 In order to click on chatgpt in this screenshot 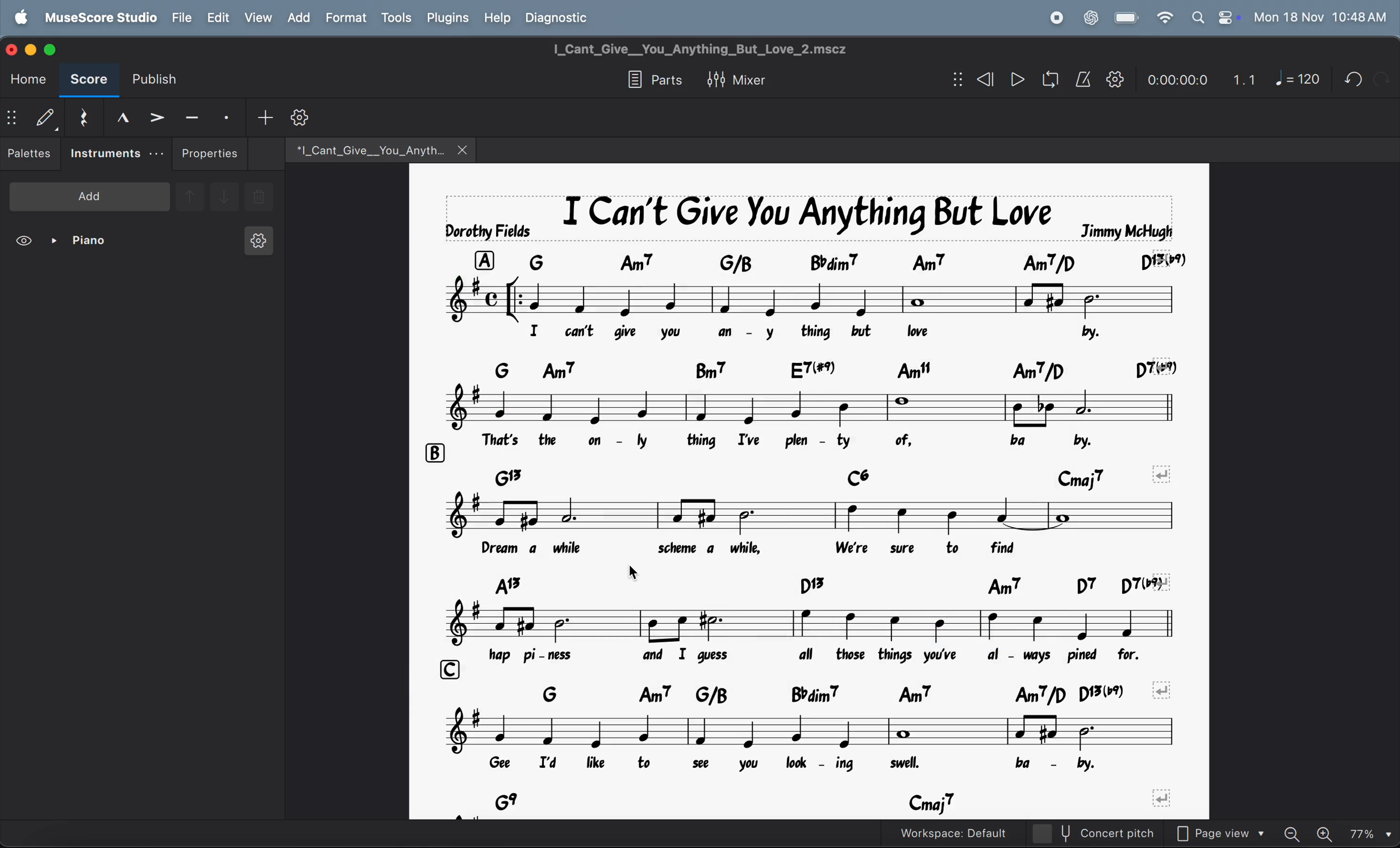, I will do `click(1090, 16)`.